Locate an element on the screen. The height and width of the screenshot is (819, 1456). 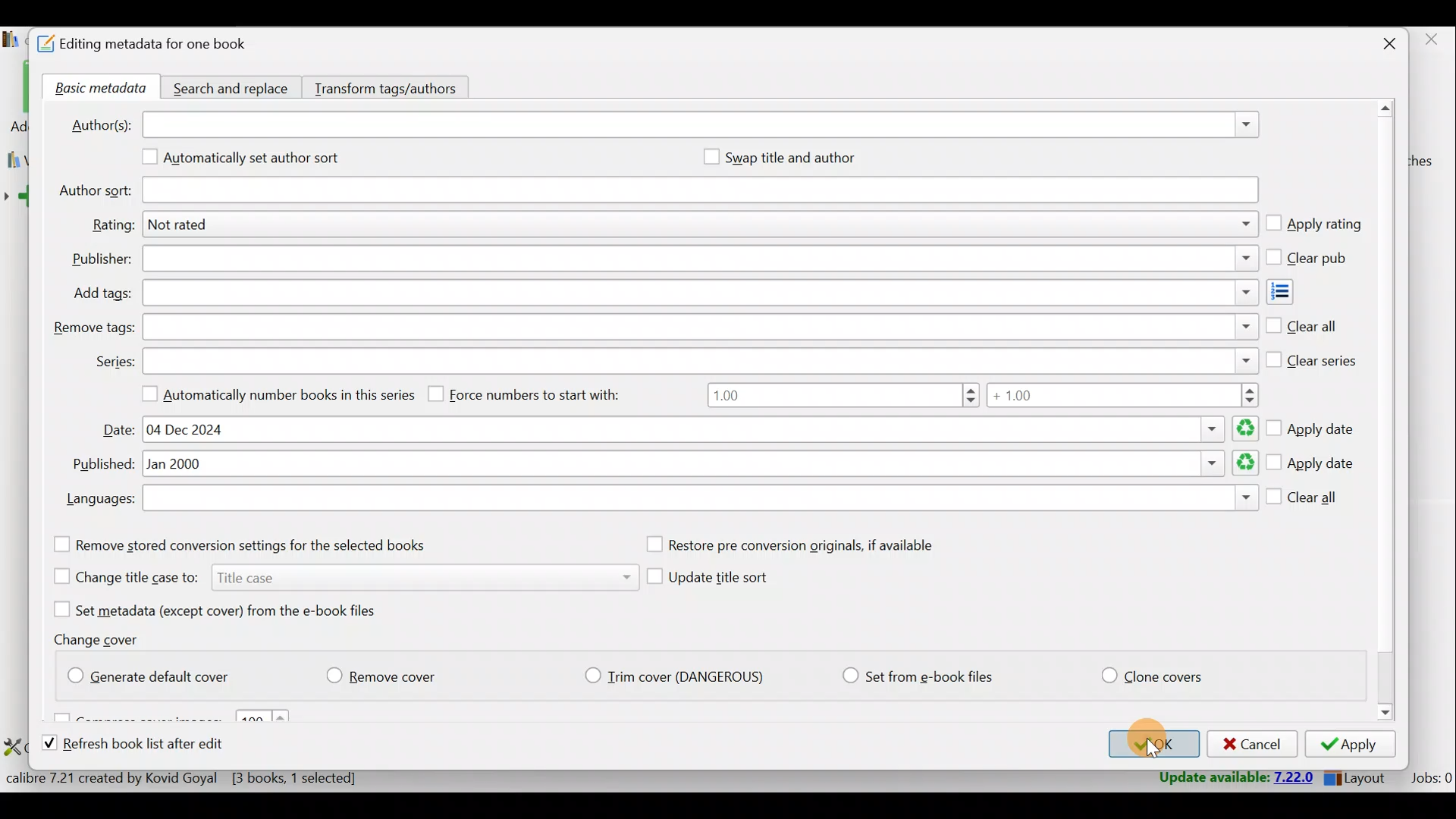
layout is located at coordinates (1363, 778).